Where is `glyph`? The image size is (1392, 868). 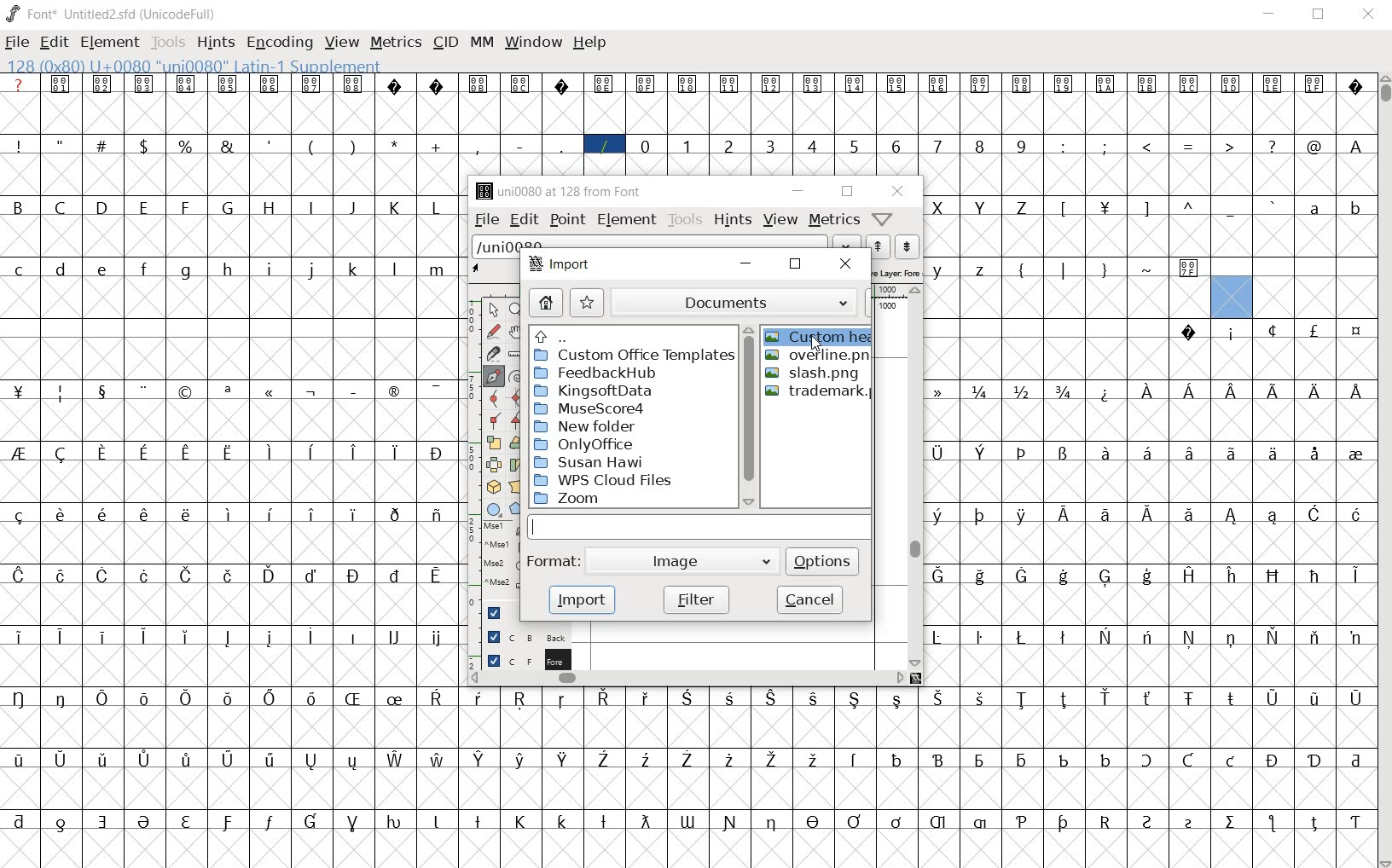
glyph is located at coordinates (1022, 146).